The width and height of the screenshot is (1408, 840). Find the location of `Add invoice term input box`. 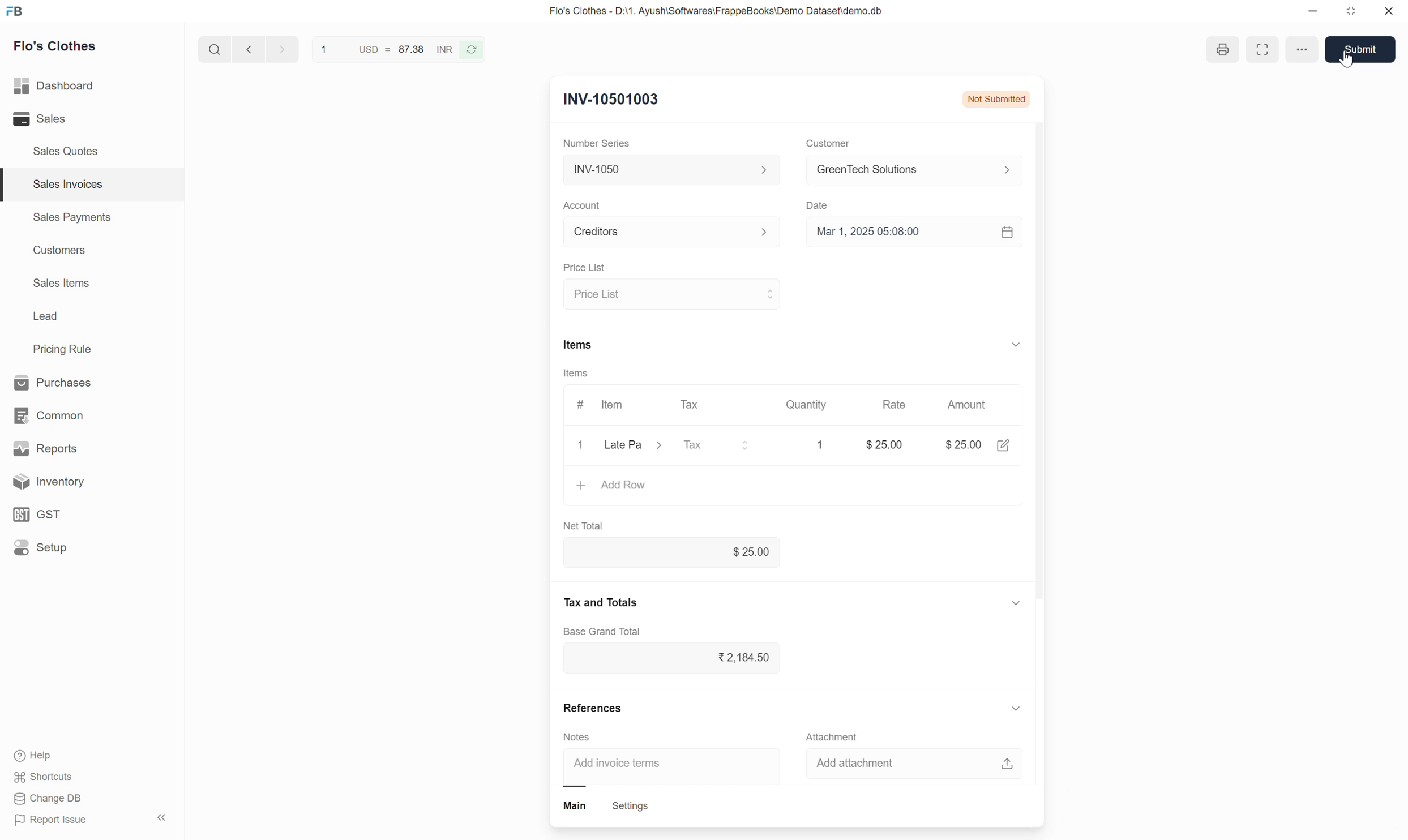

Add invoice term input box is located at coordinates (658, 762).